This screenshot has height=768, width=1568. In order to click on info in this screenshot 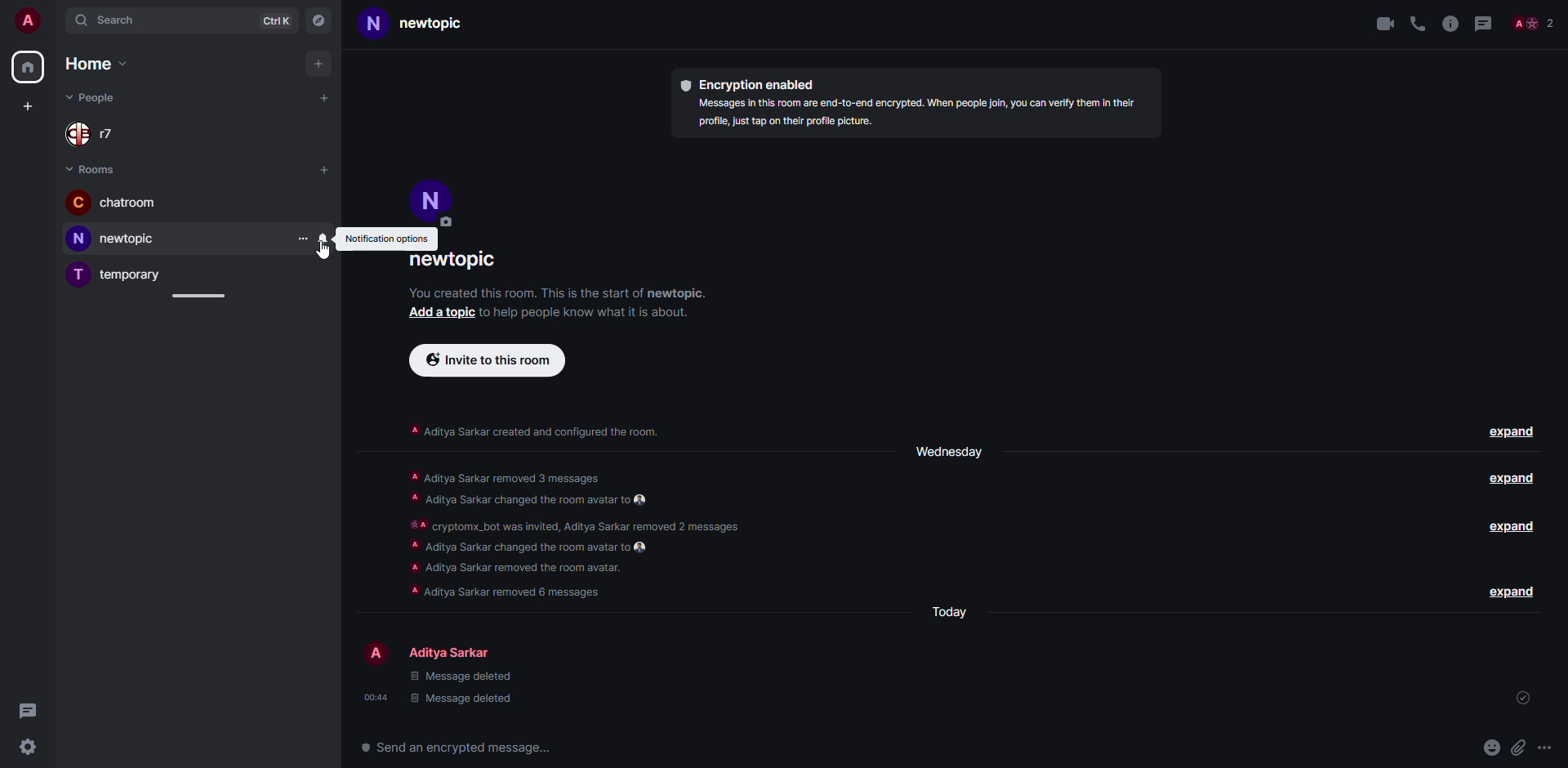, I will do `click(535, 431)`.